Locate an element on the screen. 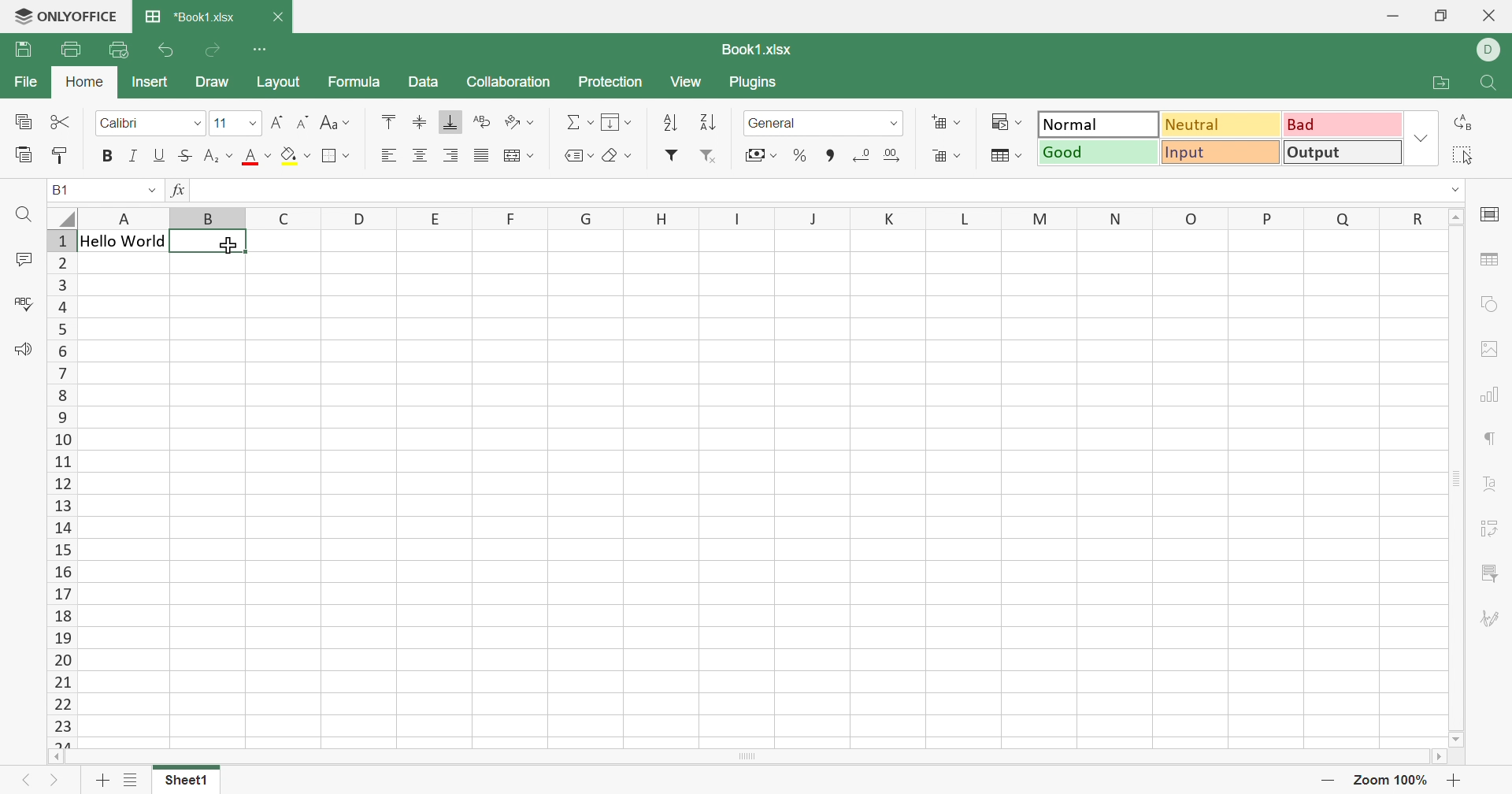 This screenshot has height=794, width=1512. Formula is located at coordinates (350, 82).